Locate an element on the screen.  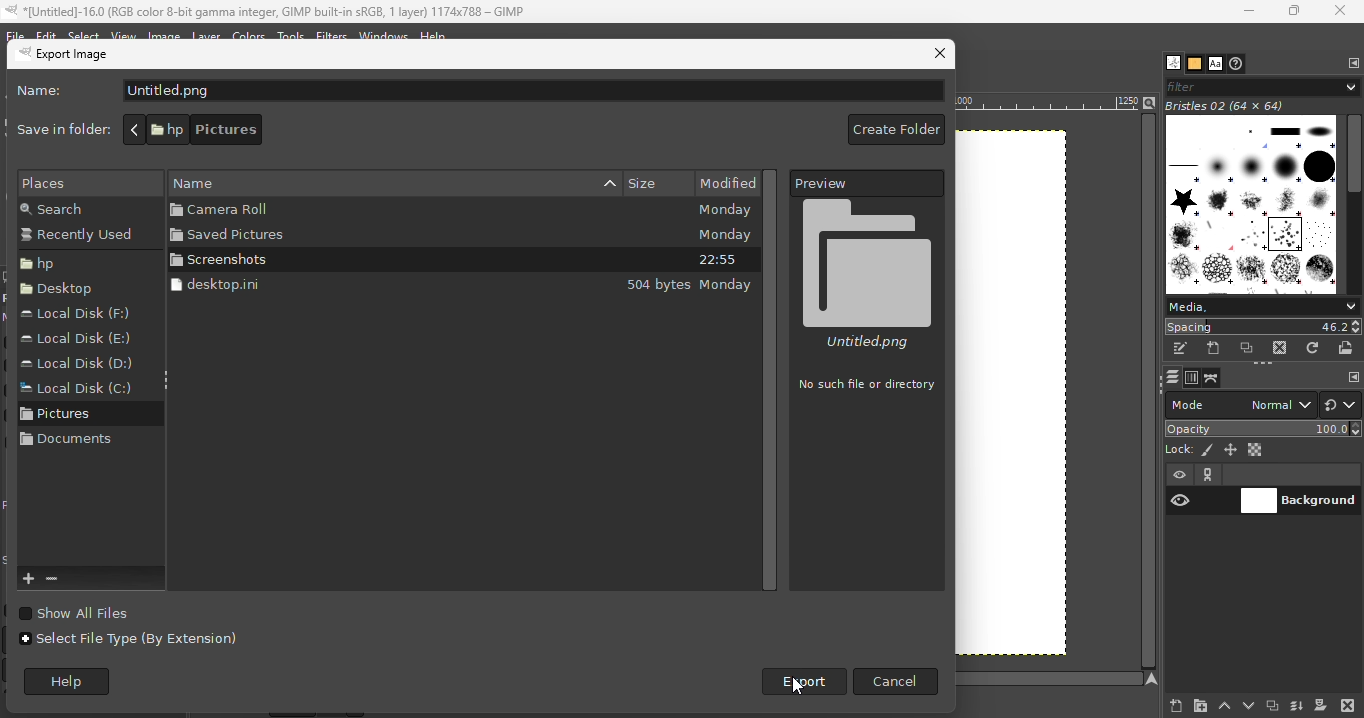
Layers is located at coordinates (1171, 377).